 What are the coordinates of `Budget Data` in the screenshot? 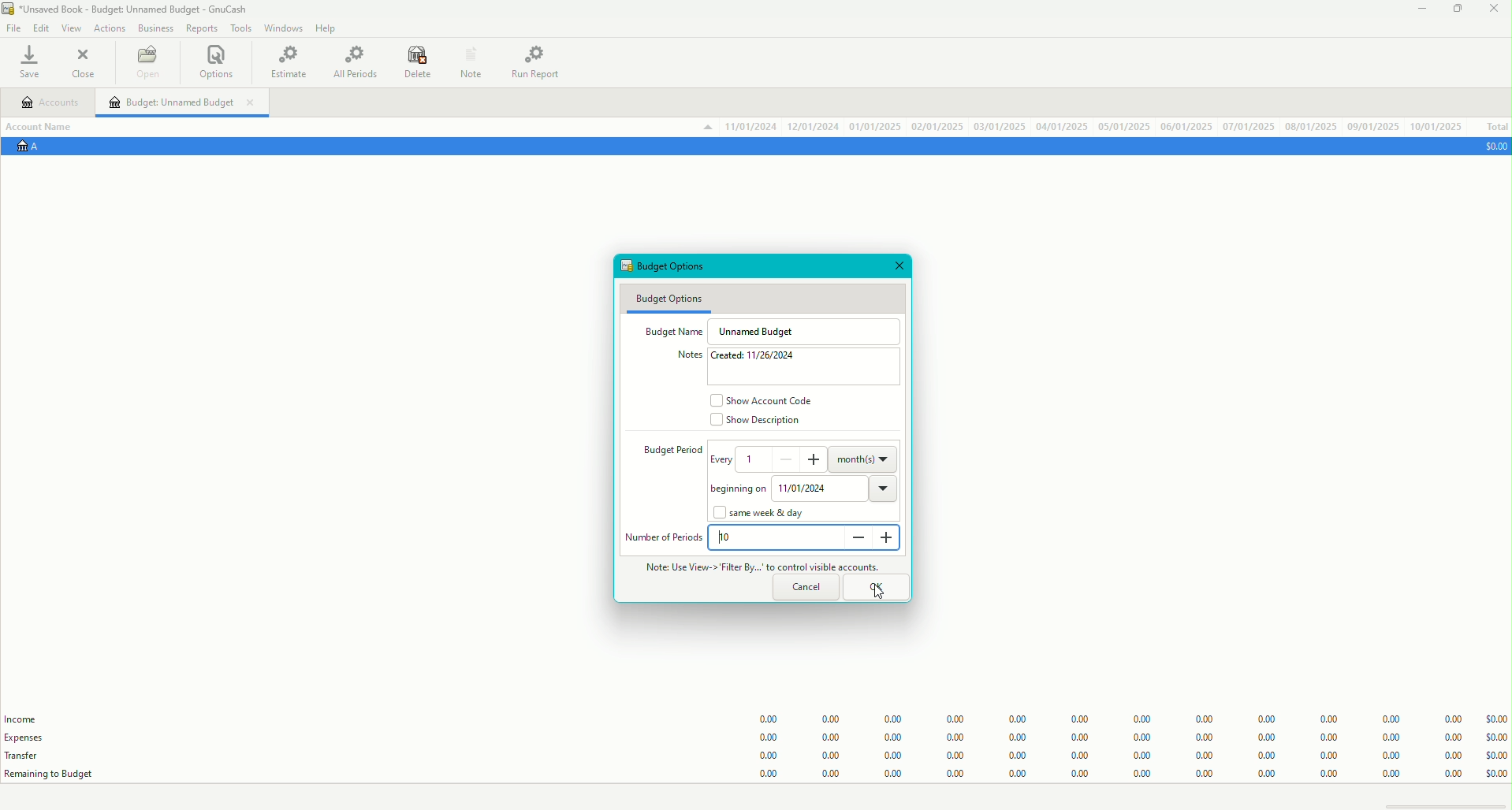 It's located at (1117, 740).